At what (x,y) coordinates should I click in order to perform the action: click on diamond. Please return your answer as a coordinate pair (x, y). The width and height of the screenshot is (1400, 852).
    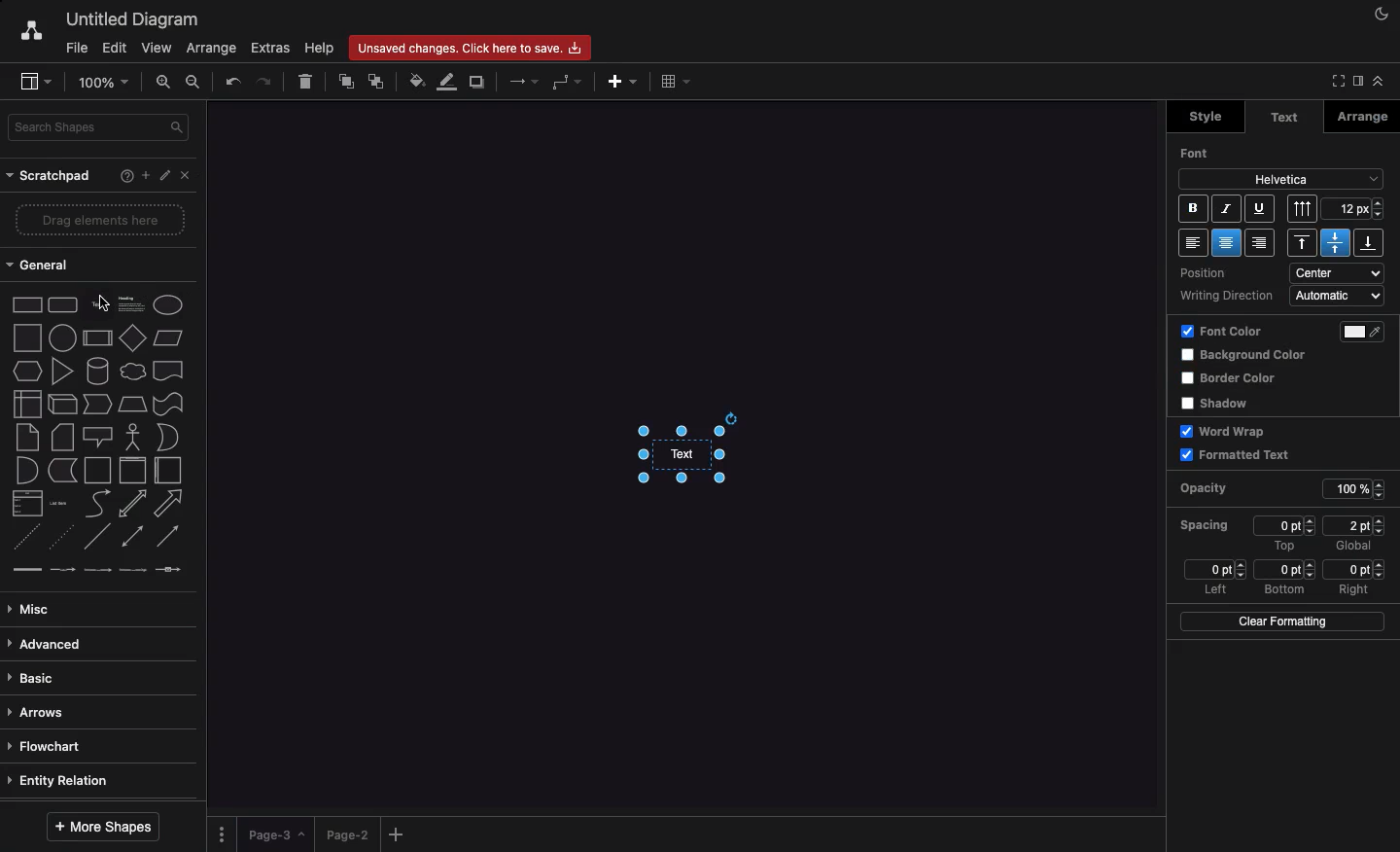
    Looking at the image, I should click on (133, 337).